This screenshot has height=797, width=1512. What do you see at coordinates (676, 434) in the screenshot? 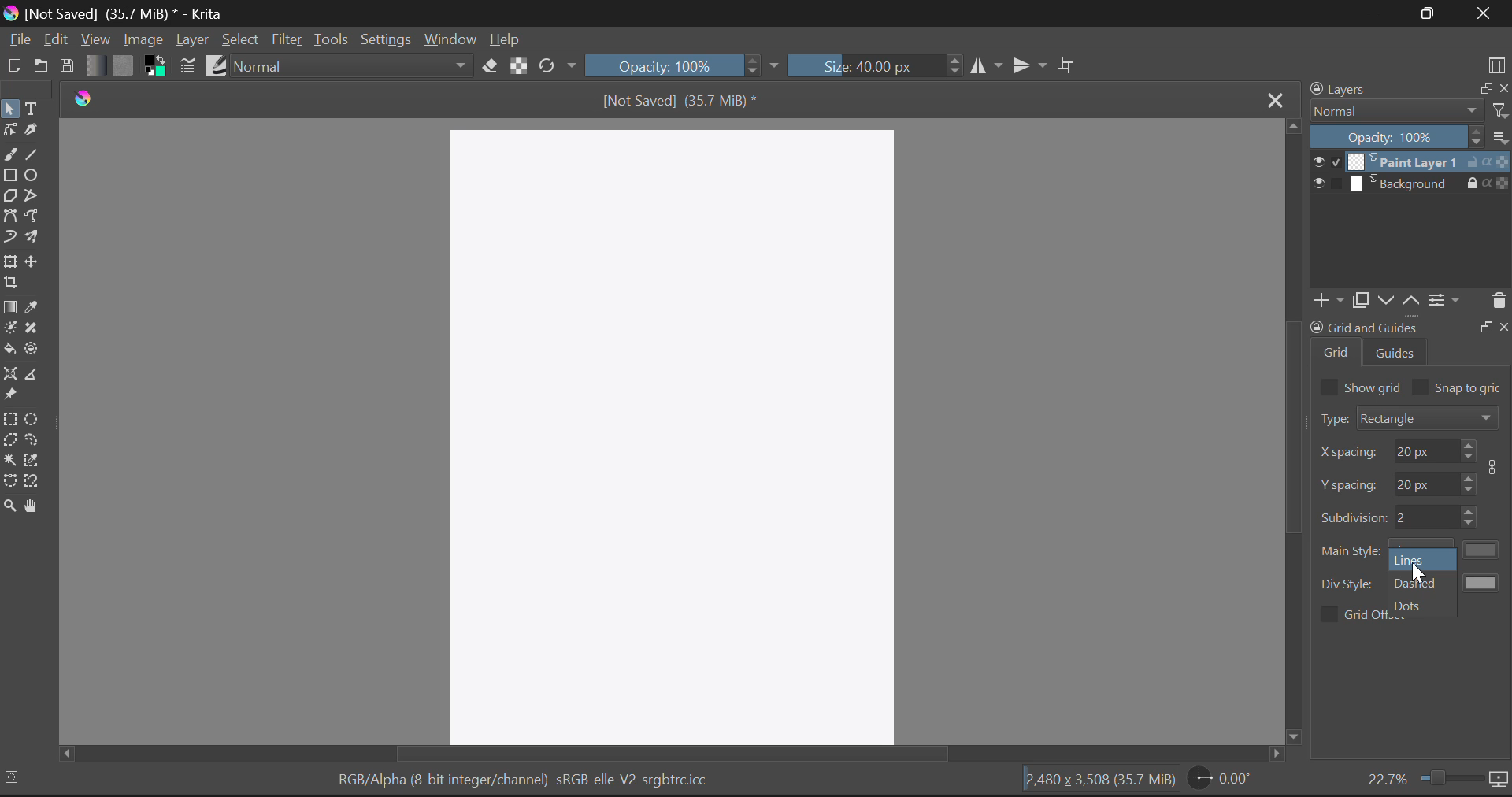
I see `Document Workspace` at bounding box center [676, 434].